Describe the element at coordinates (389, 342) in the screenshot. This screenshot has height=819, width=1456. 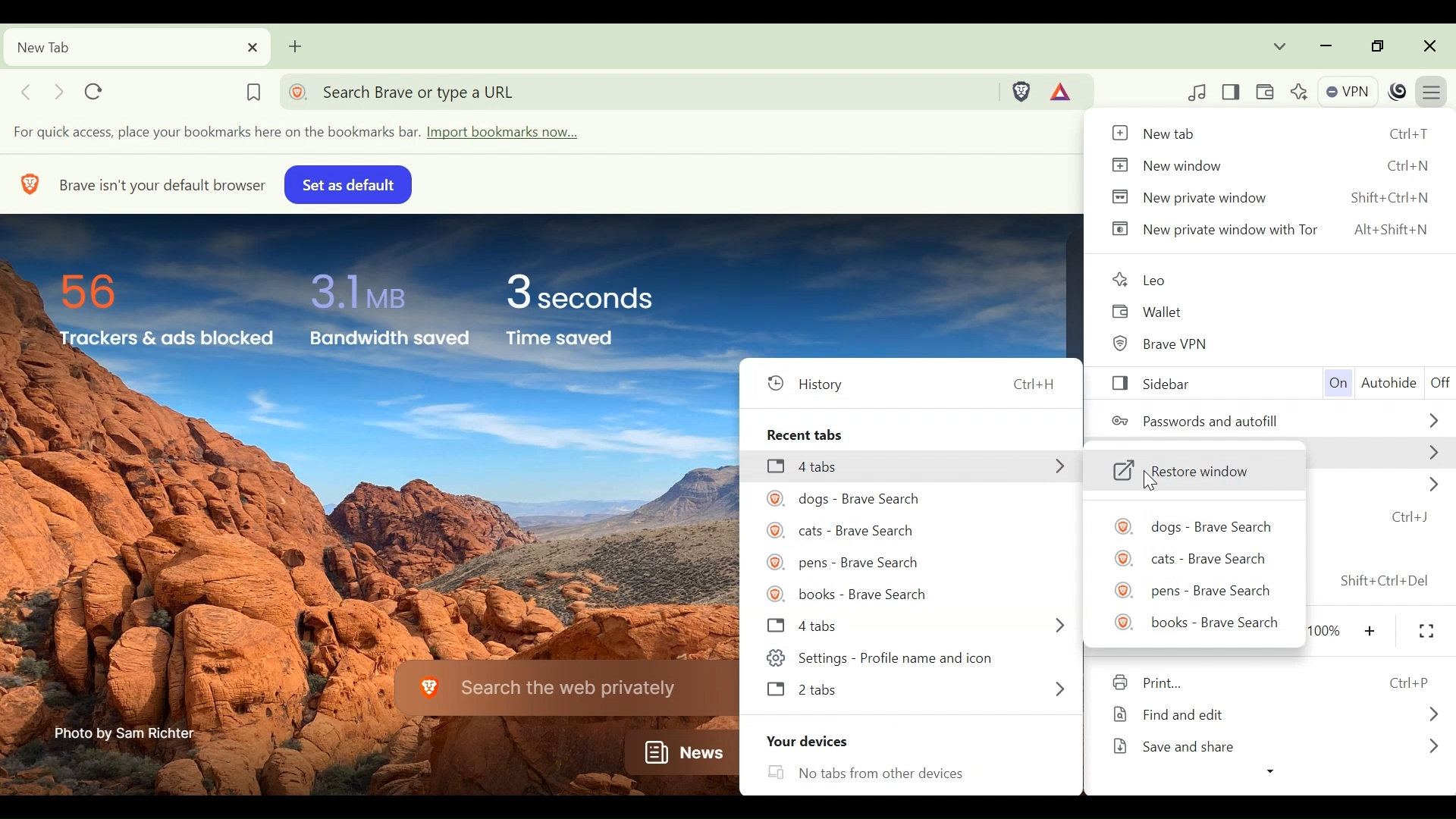
I see `Bandwidth saved` at that location.